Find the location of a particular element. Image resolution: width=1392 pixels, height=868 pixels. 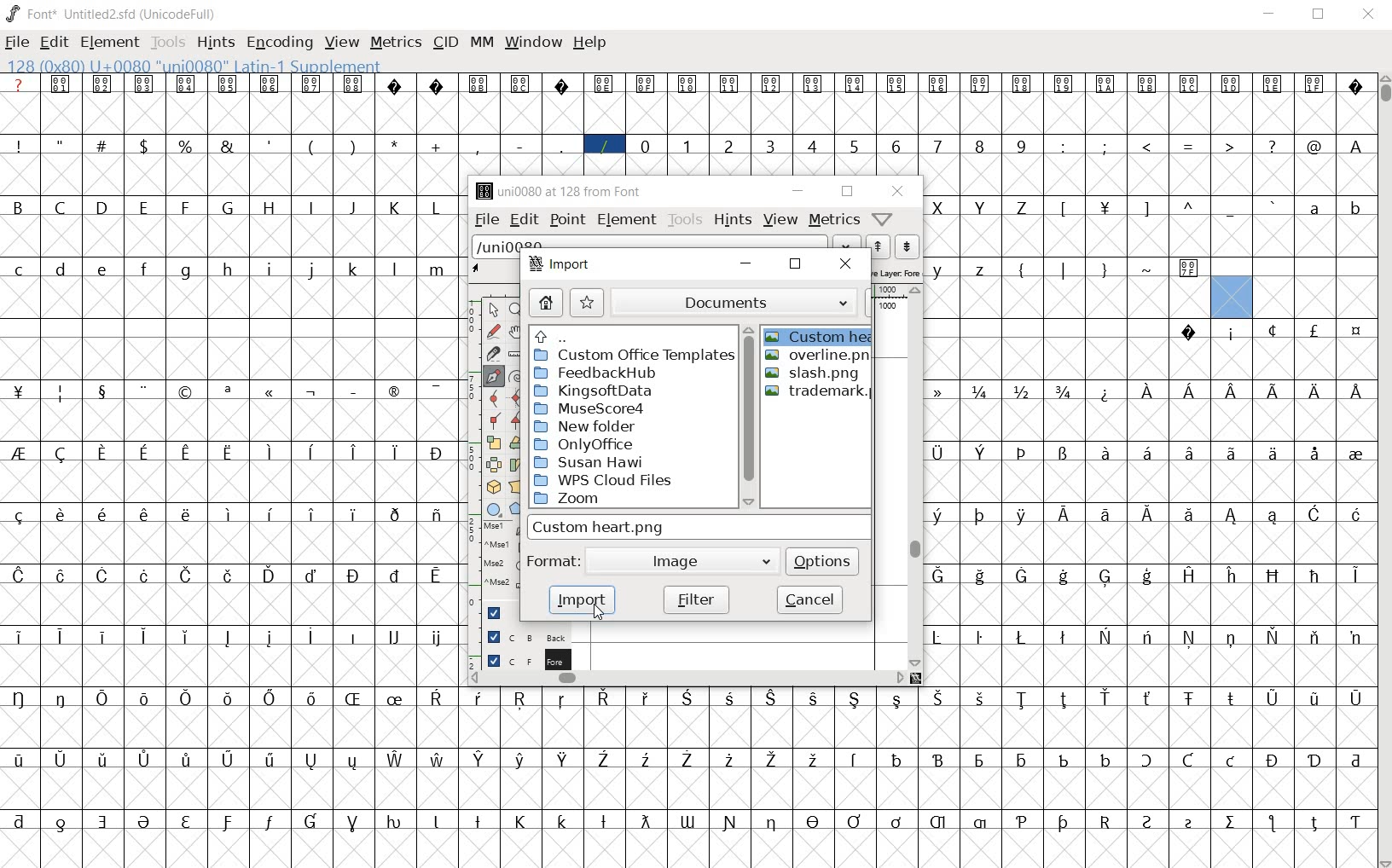

glyph is located at coordinates (229, 269).